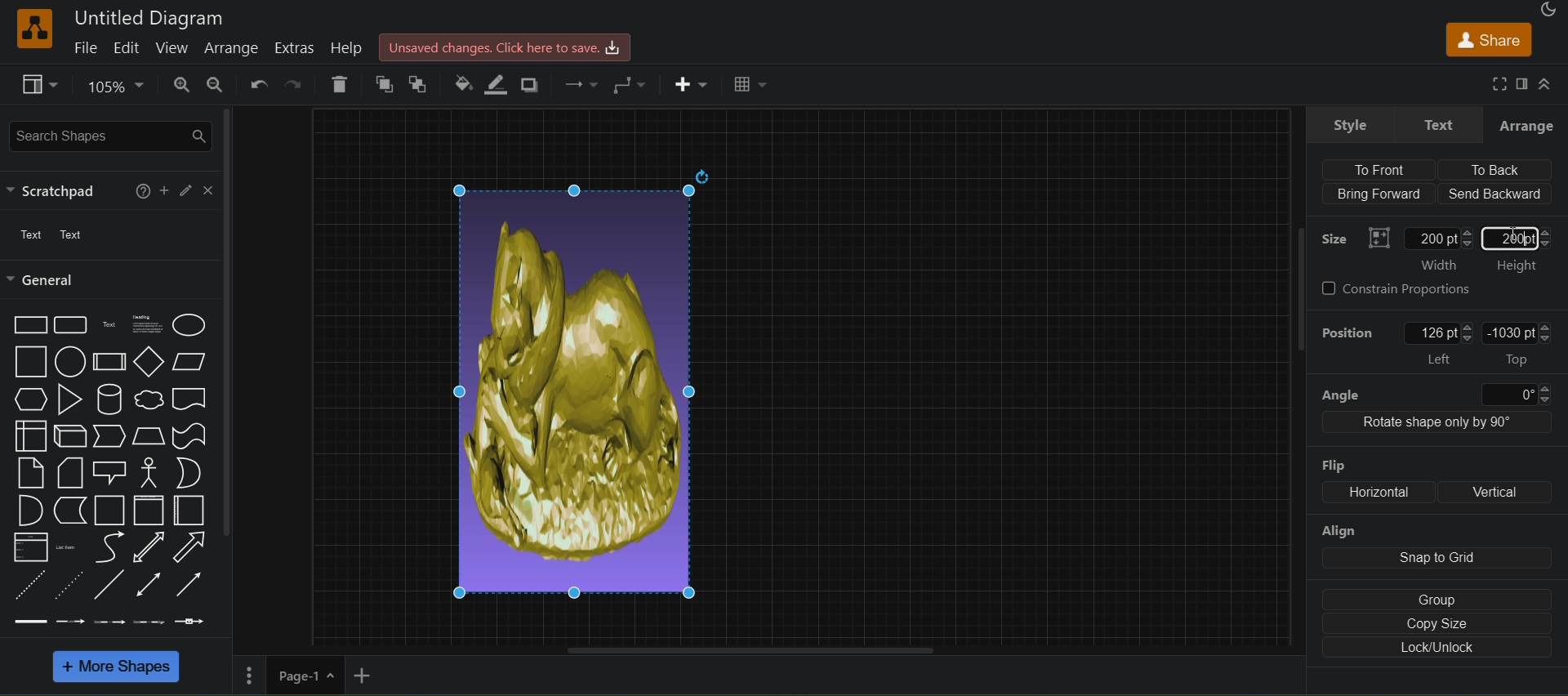 The height and width of the screenshot is (696, 1568). What do you see at coordinates (79, 49) in the screenshot?
I see `file` at bounding box center [79, 49].